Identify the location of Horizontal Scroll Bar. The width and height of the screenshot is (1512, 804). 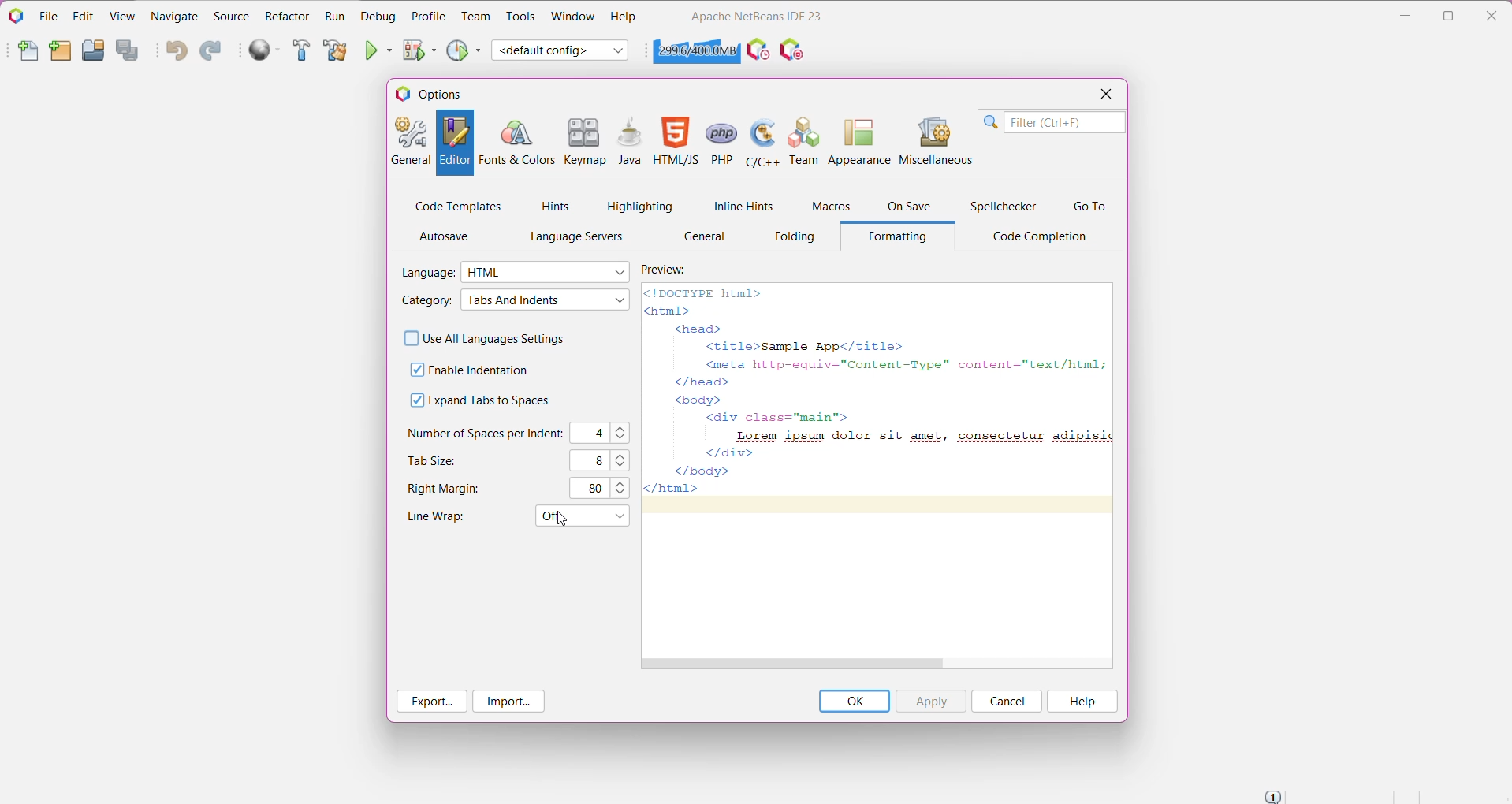
(877, 664).